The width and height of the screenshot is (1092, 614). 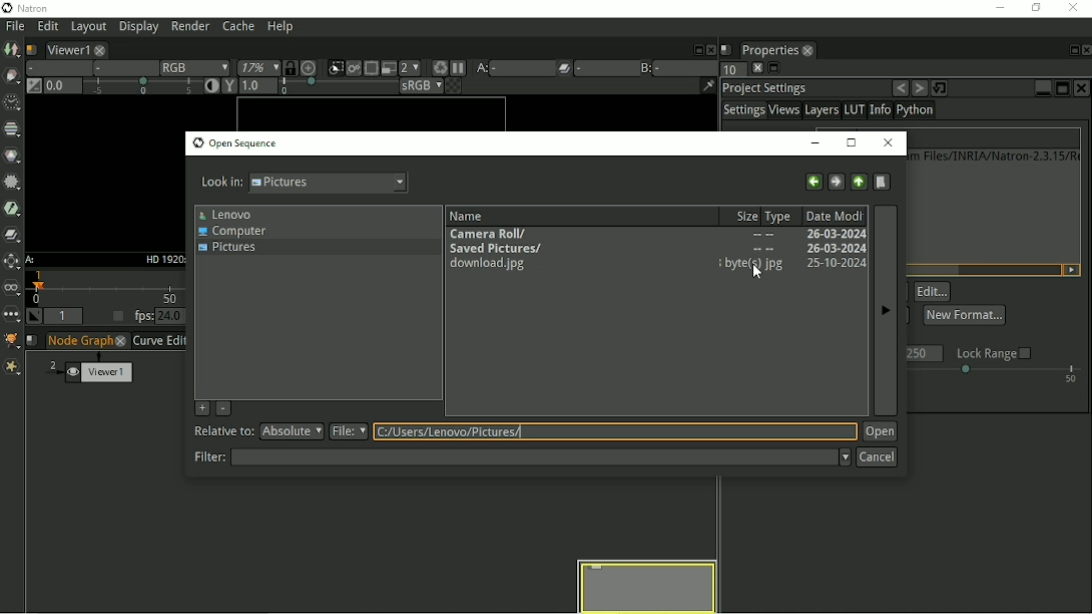 I want to click on Display, so click(x=139, y=28).